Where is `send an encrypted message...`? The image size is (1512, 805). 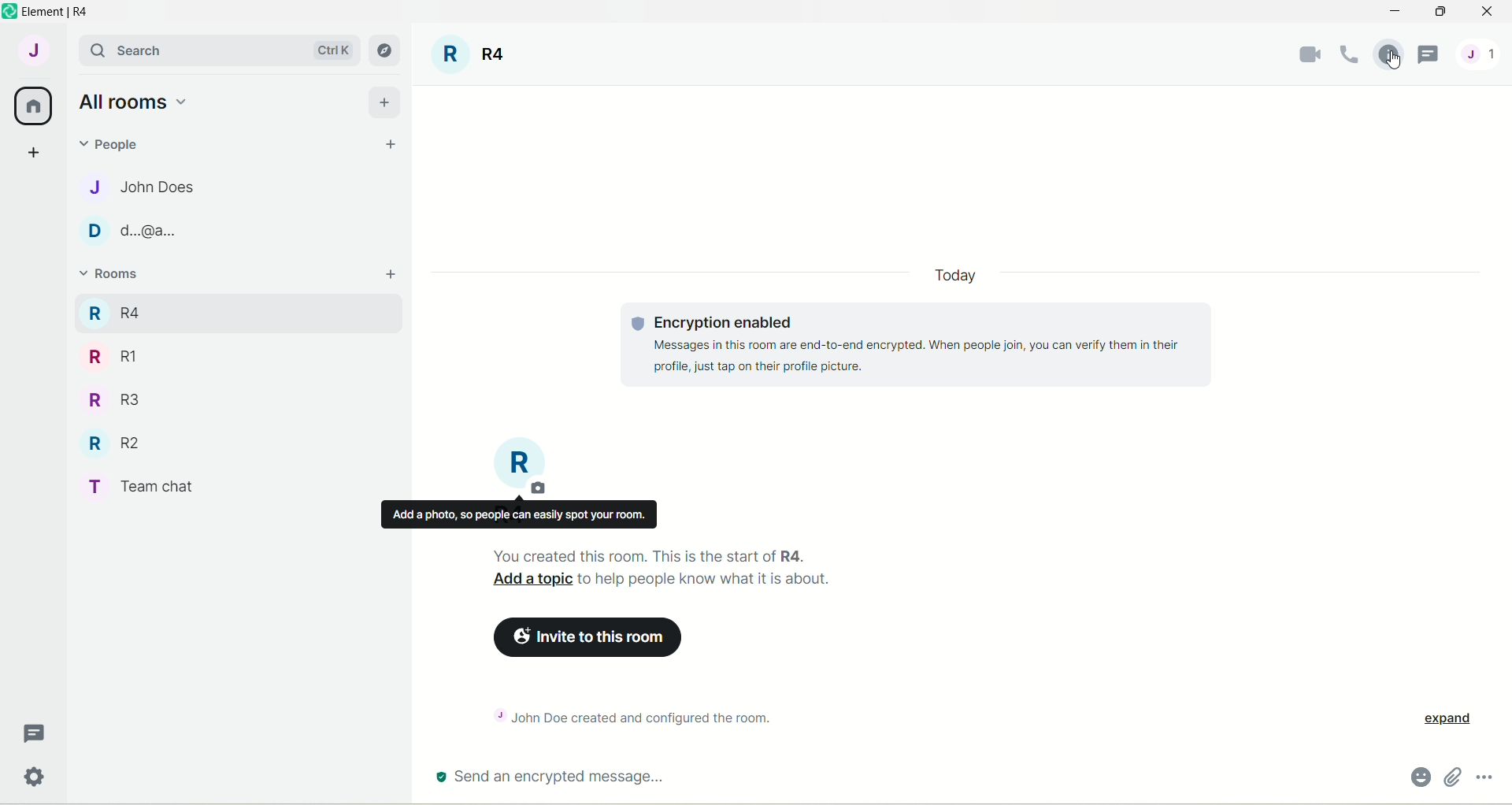 send an encrypted message... is located at coordinates (661, 778).